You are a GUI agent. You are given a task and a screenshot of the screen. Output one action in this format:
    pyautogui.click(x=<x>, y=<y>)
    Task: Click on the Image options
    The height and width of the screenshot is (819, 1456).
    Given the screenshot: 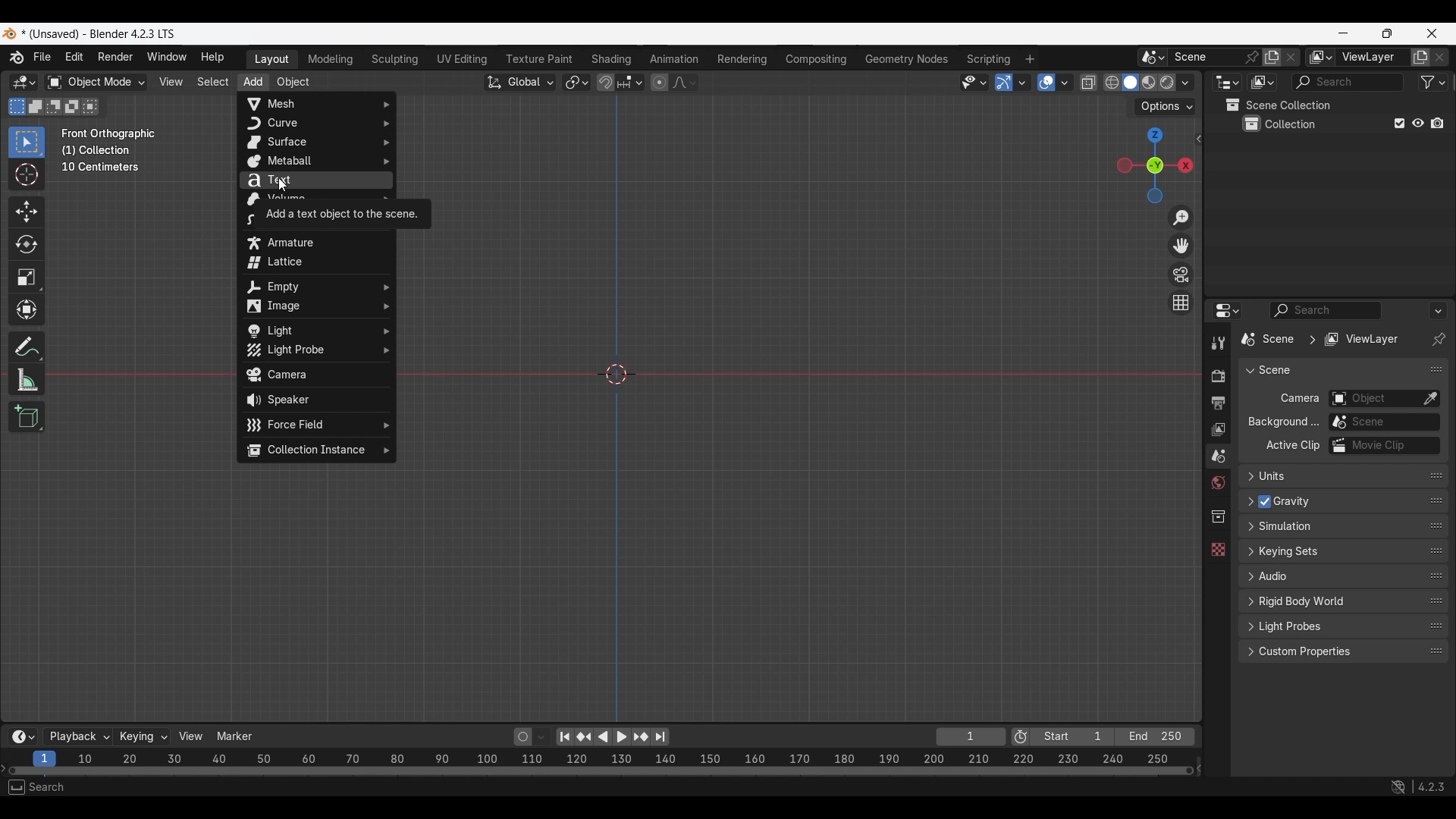 What is the action you would take?
    pyautogui.click(x=316, y=306)
    